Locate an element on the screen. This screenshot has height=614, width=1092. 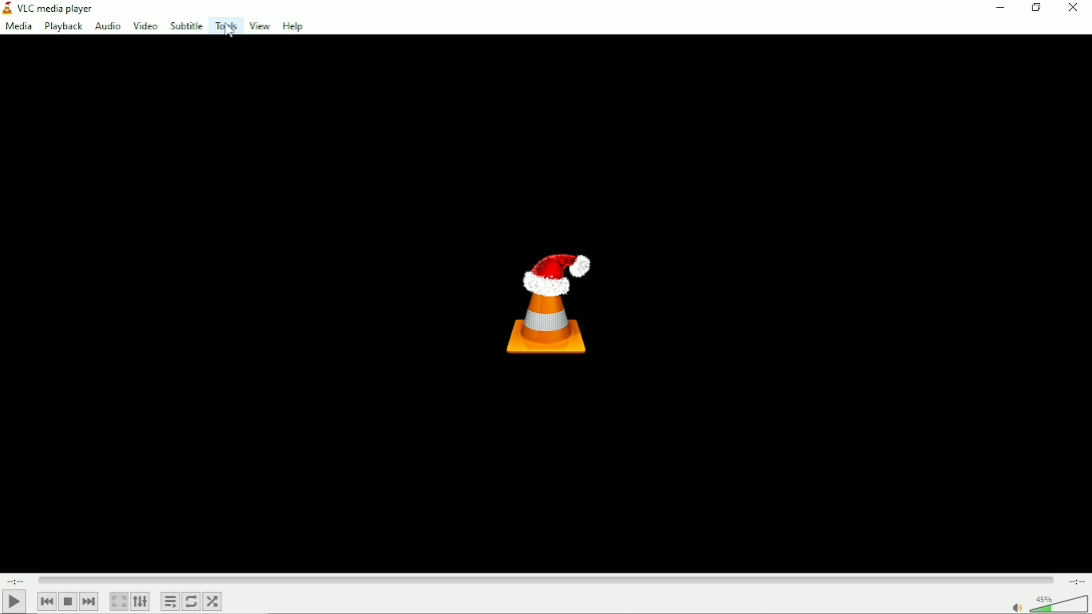
Elapsed time is located at coordinates (16, 579).